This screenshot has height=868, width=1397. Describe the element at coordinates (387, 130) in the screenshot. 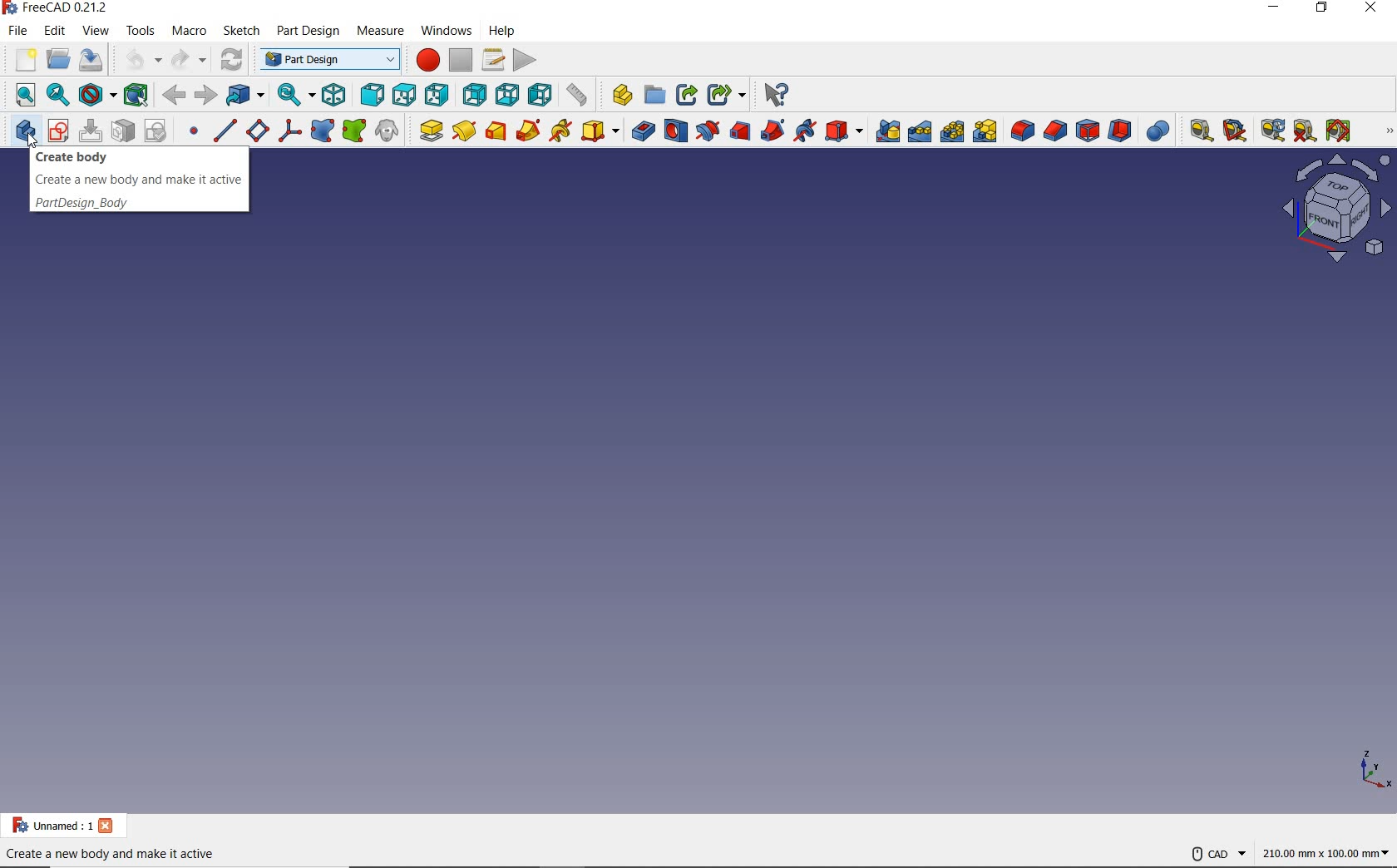

I see `CREATE A CLONE` at that location.